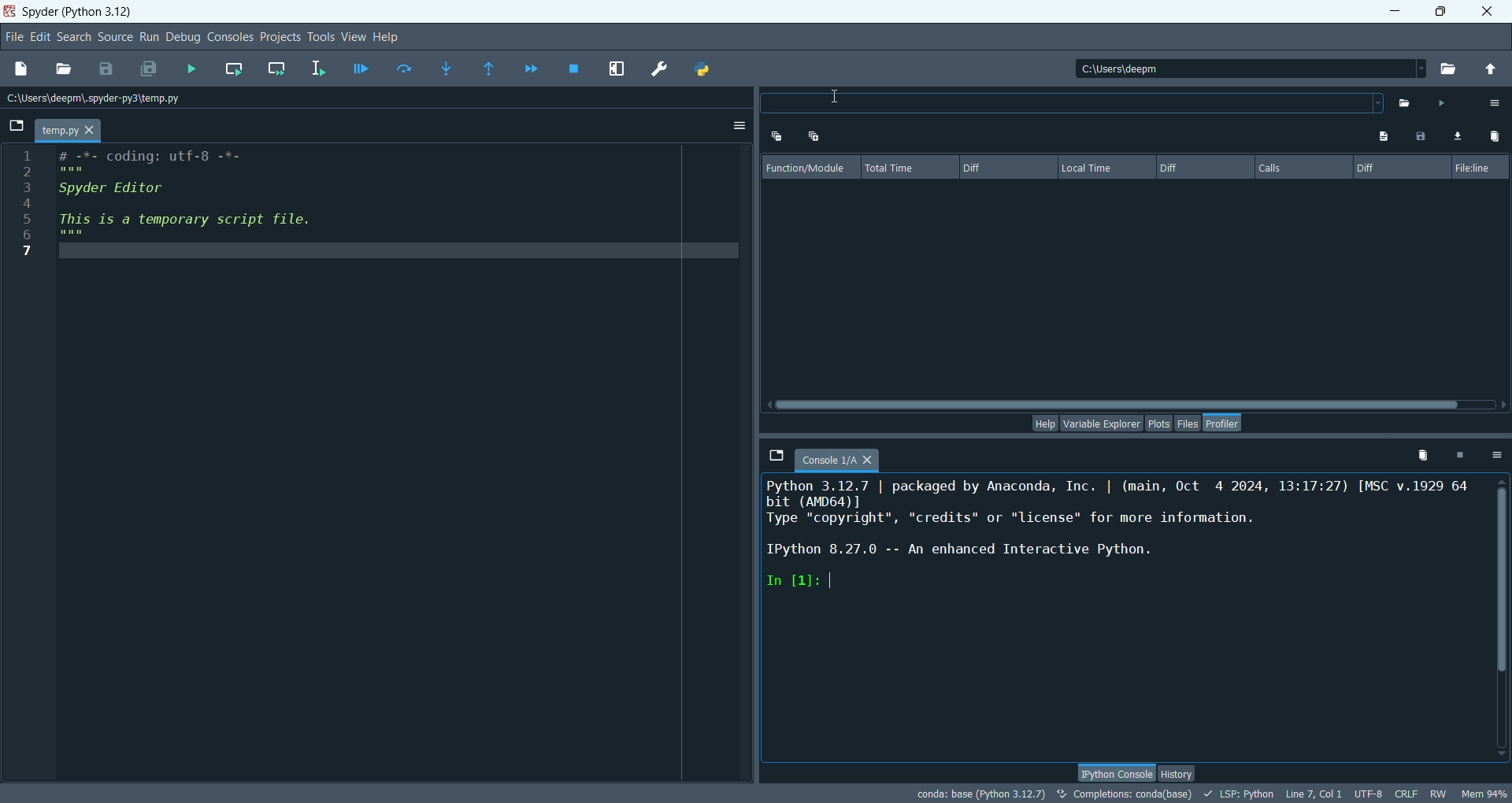 The height and width of the screenshot is (803, 1512). What do you see at coordinates (22, 68) in the screenshot?
I see `new` at bounding box center [22, 68].